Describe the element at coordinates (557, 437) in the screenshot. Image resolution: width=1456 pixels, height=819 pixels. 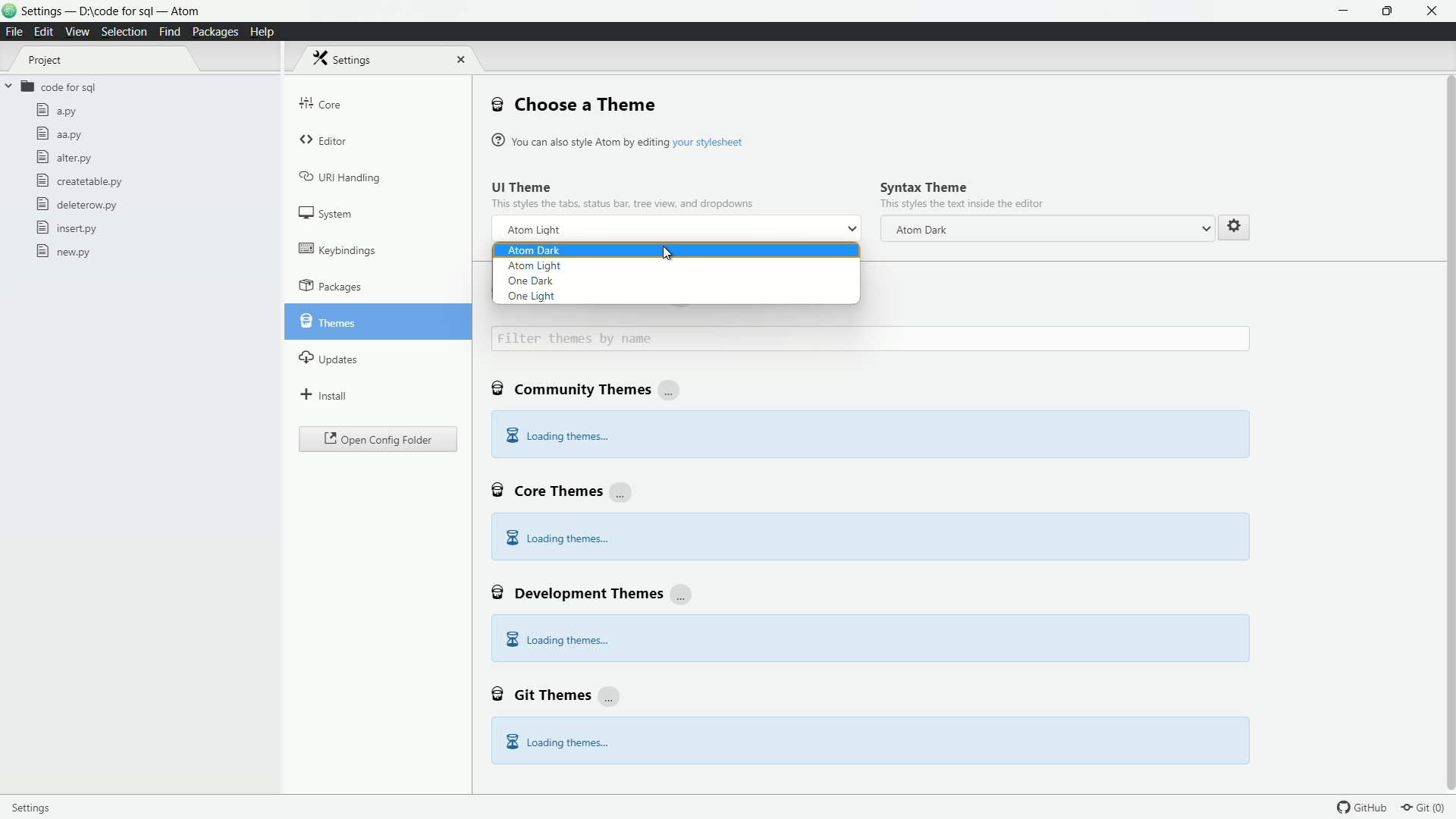
I see `loading themes` at that location.